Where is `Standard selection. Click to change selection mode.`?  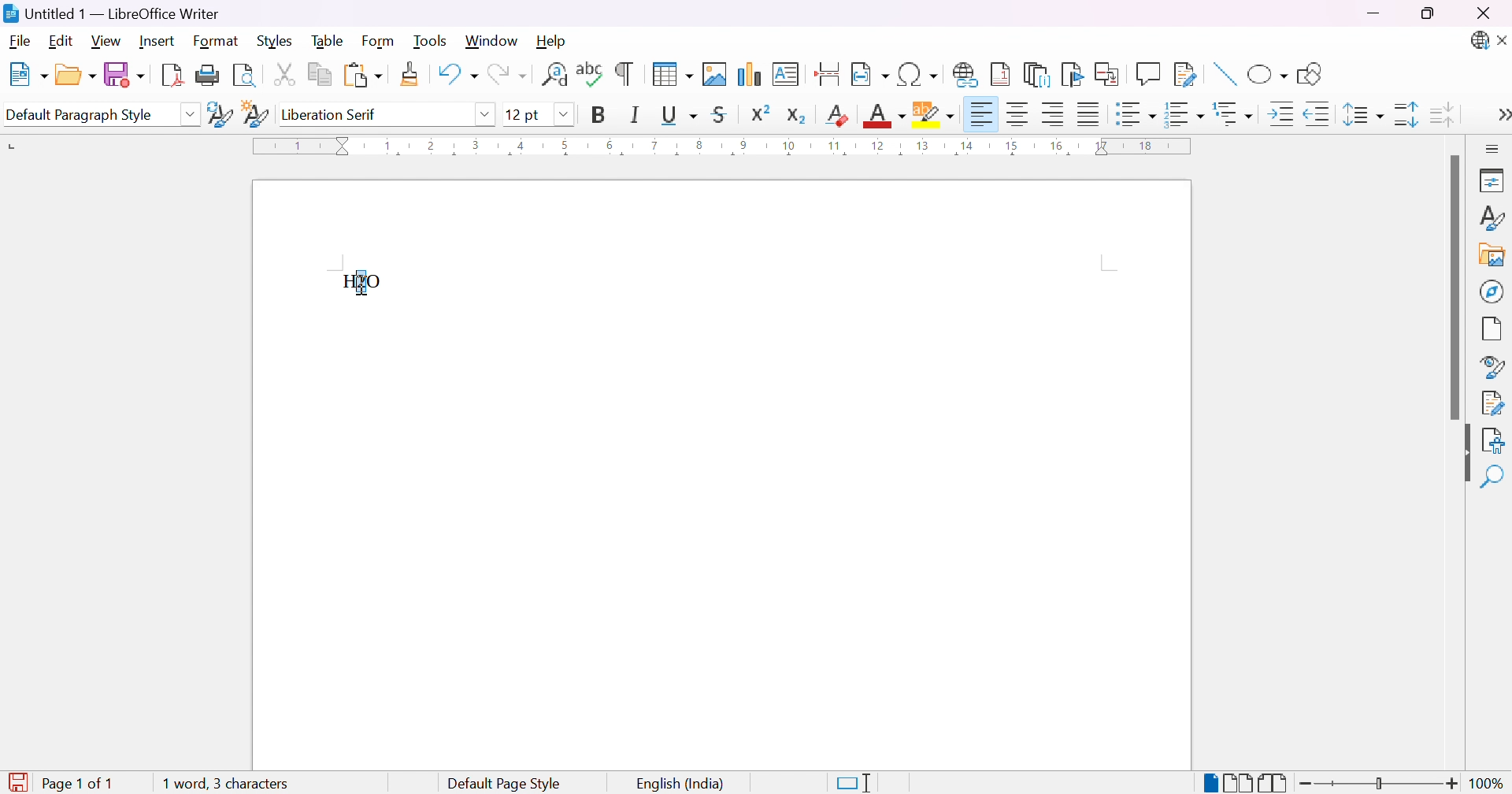
Standard selection. Click to change selection mode. is located at coordinates (854, 783).